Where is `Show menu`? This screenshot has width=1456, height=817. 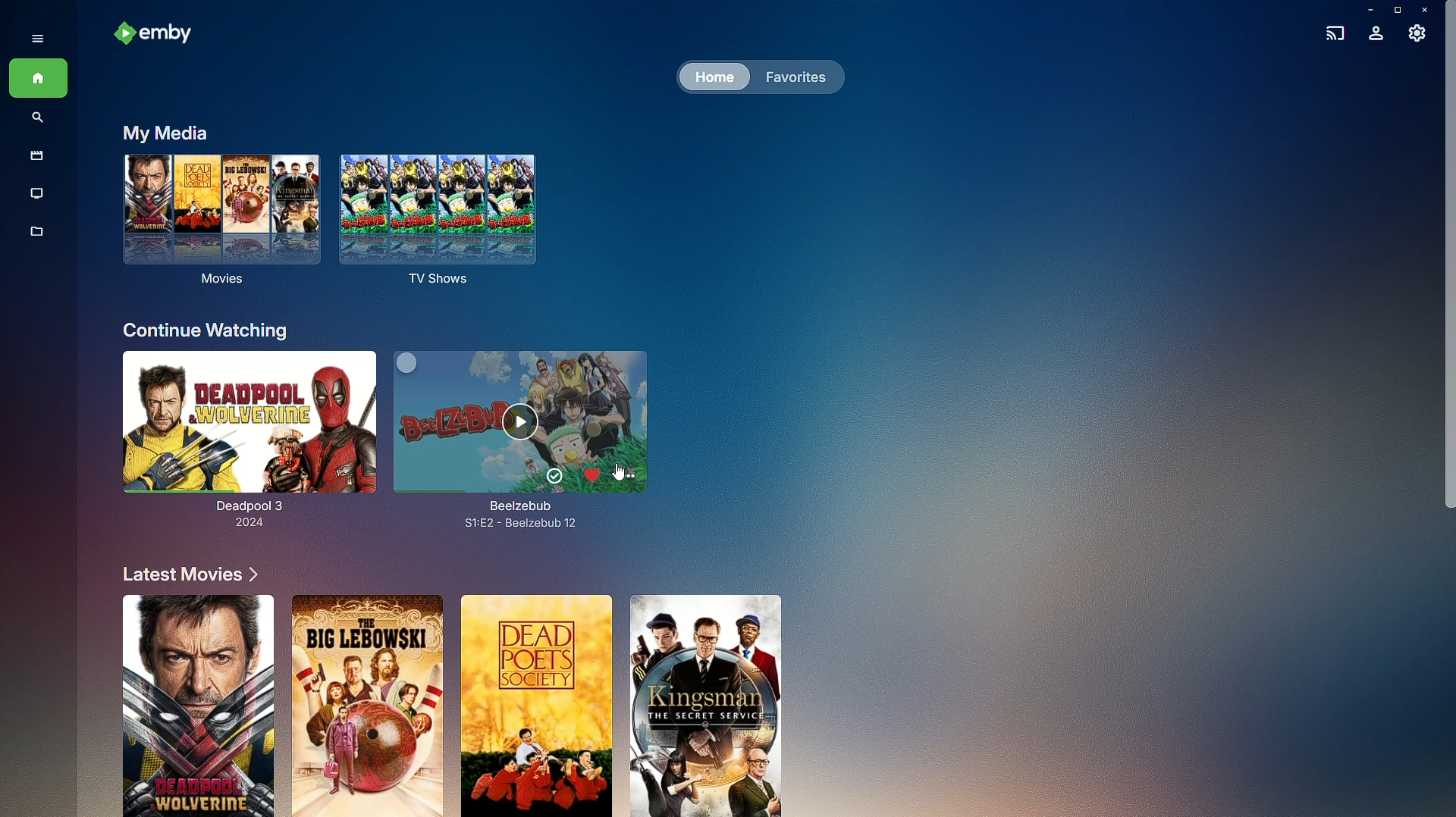
Show menu is located at coordinates (33, 37).